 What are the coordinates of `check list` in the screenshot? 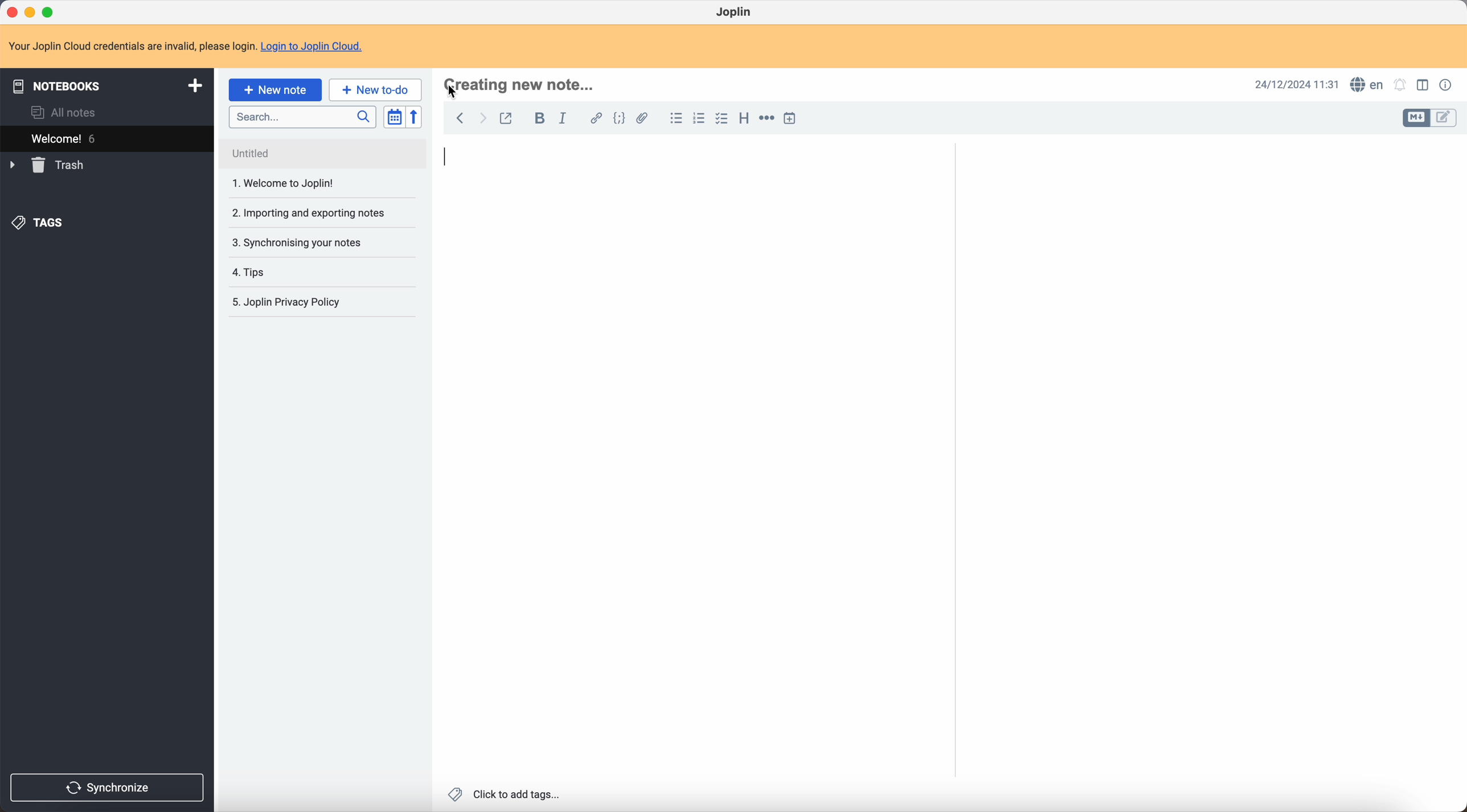 It's located at (722, 119).